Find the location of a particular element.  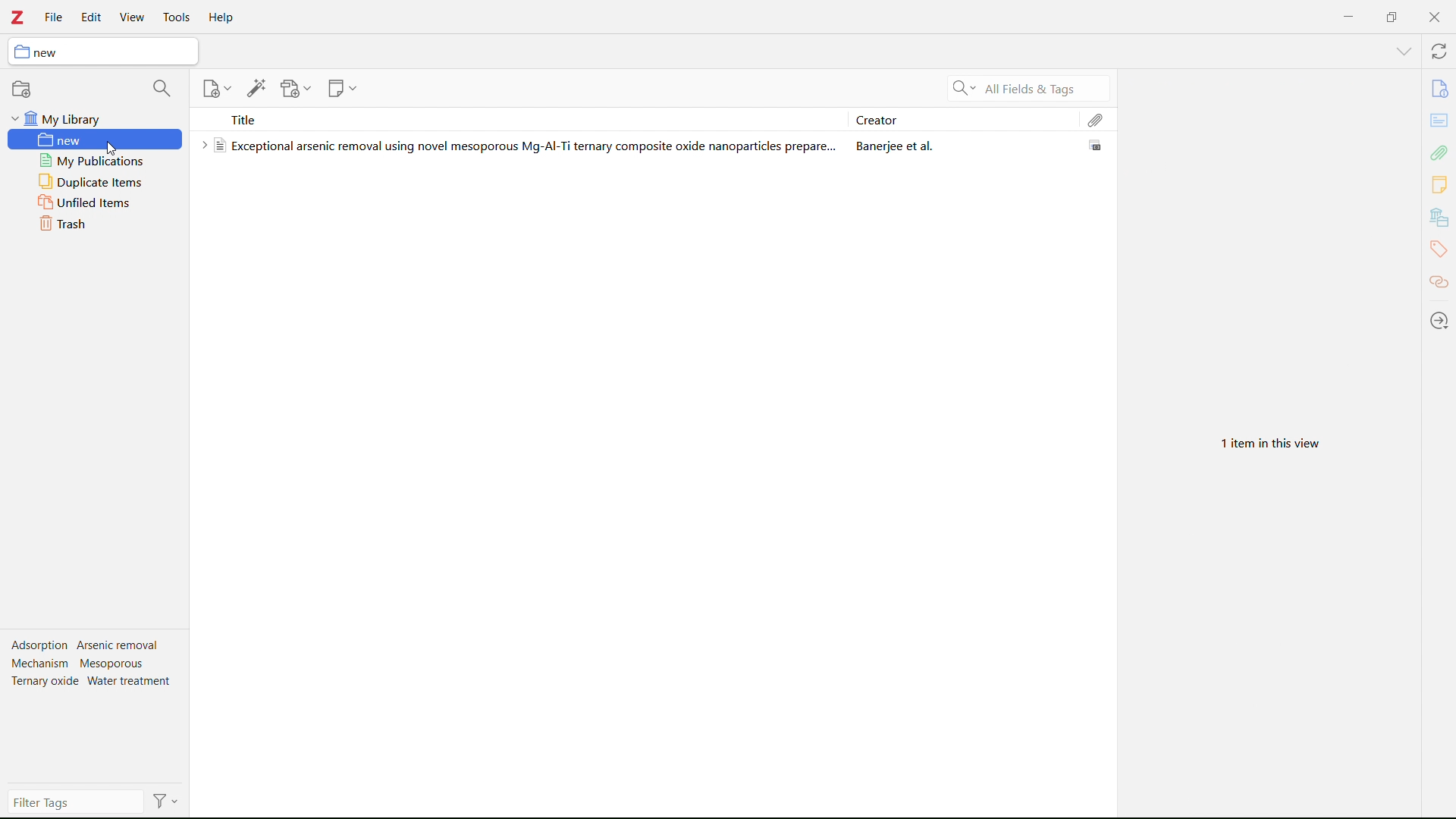

libraries and collections is located at coordinates (1439, 218).